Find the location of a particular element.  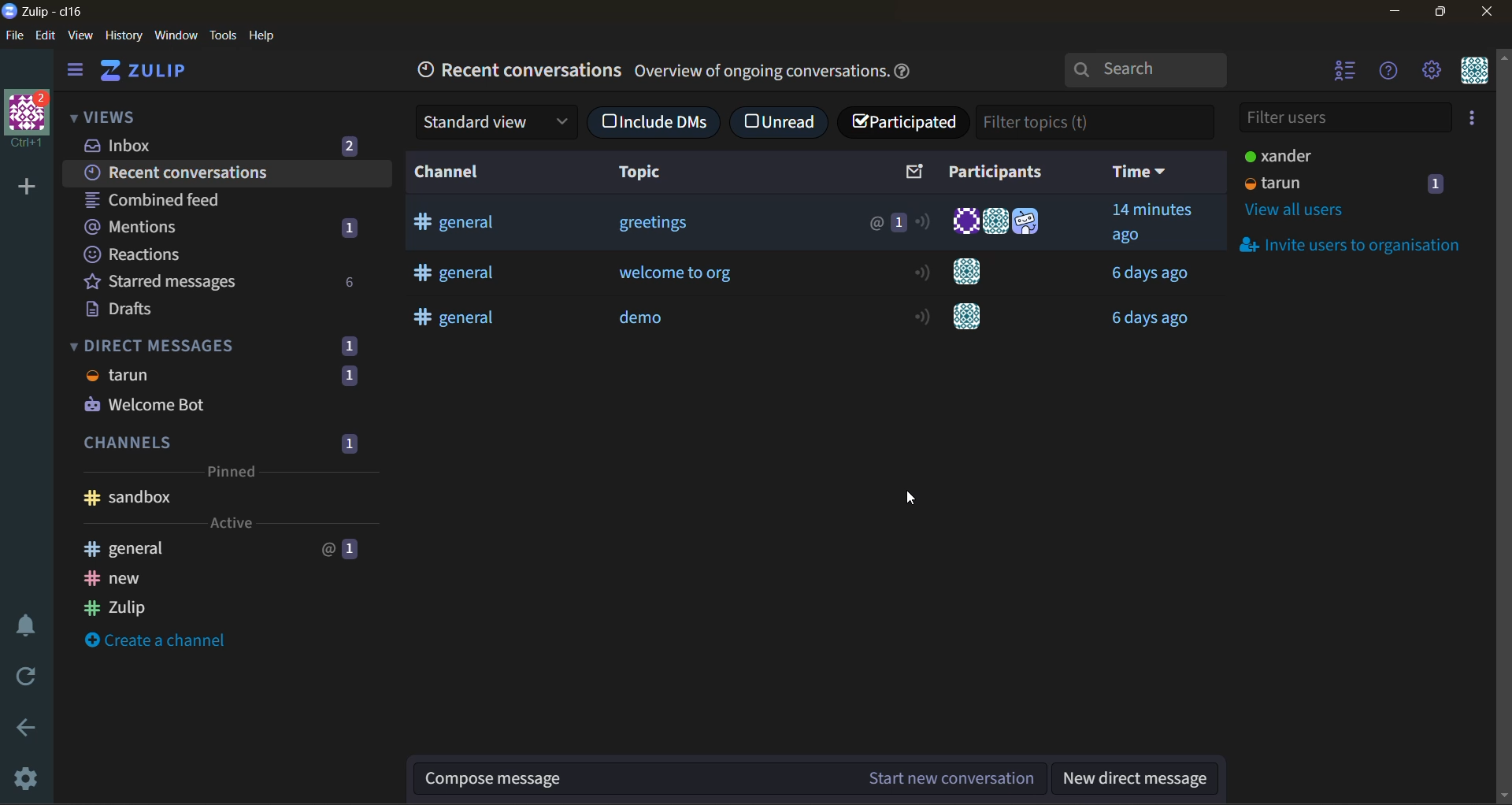

greeting is located at coordinates (654, 223).